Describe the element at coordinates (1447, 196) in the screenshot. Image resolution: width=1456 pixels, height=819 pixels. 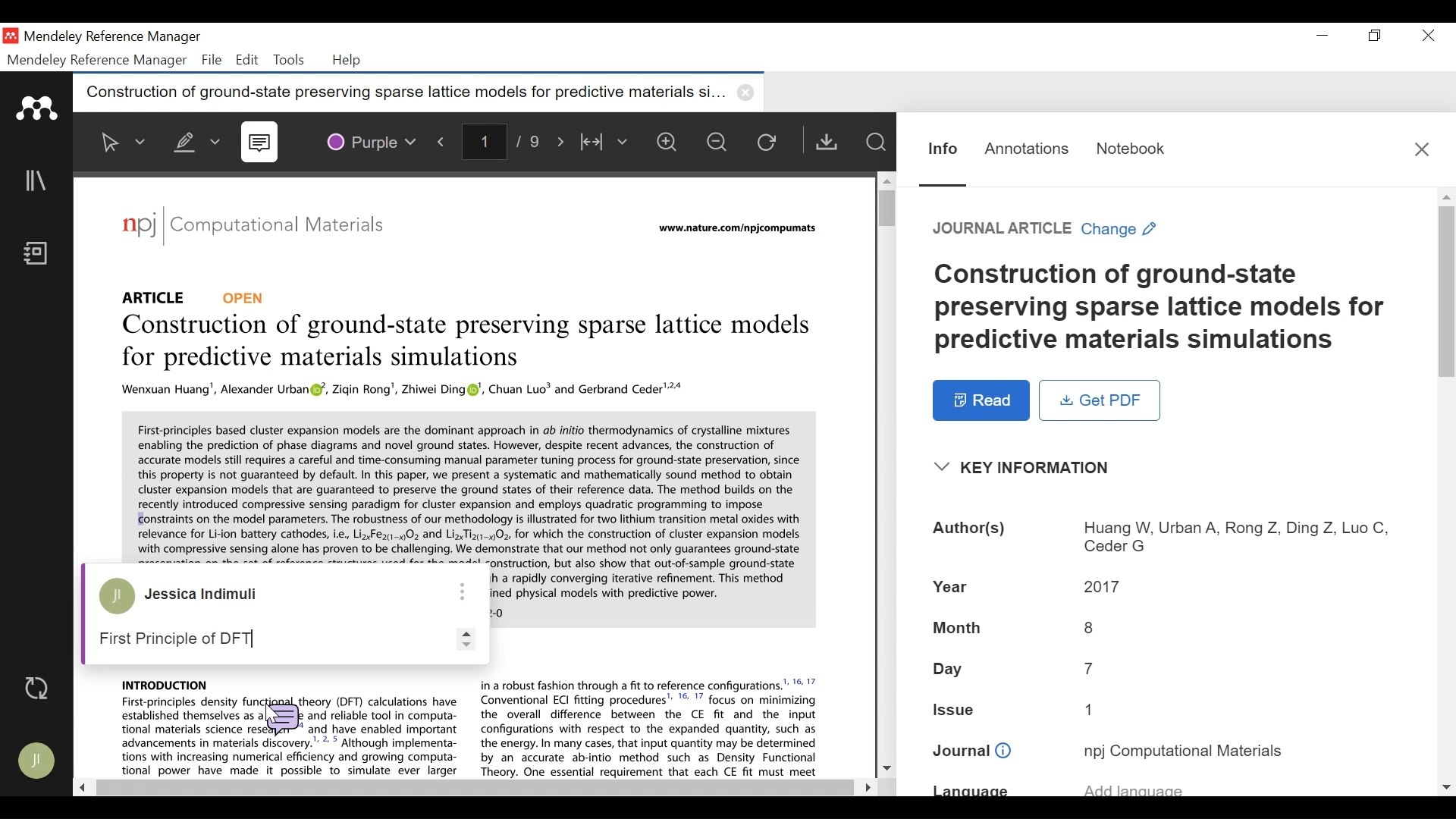
I see `Scroll up` at that location.